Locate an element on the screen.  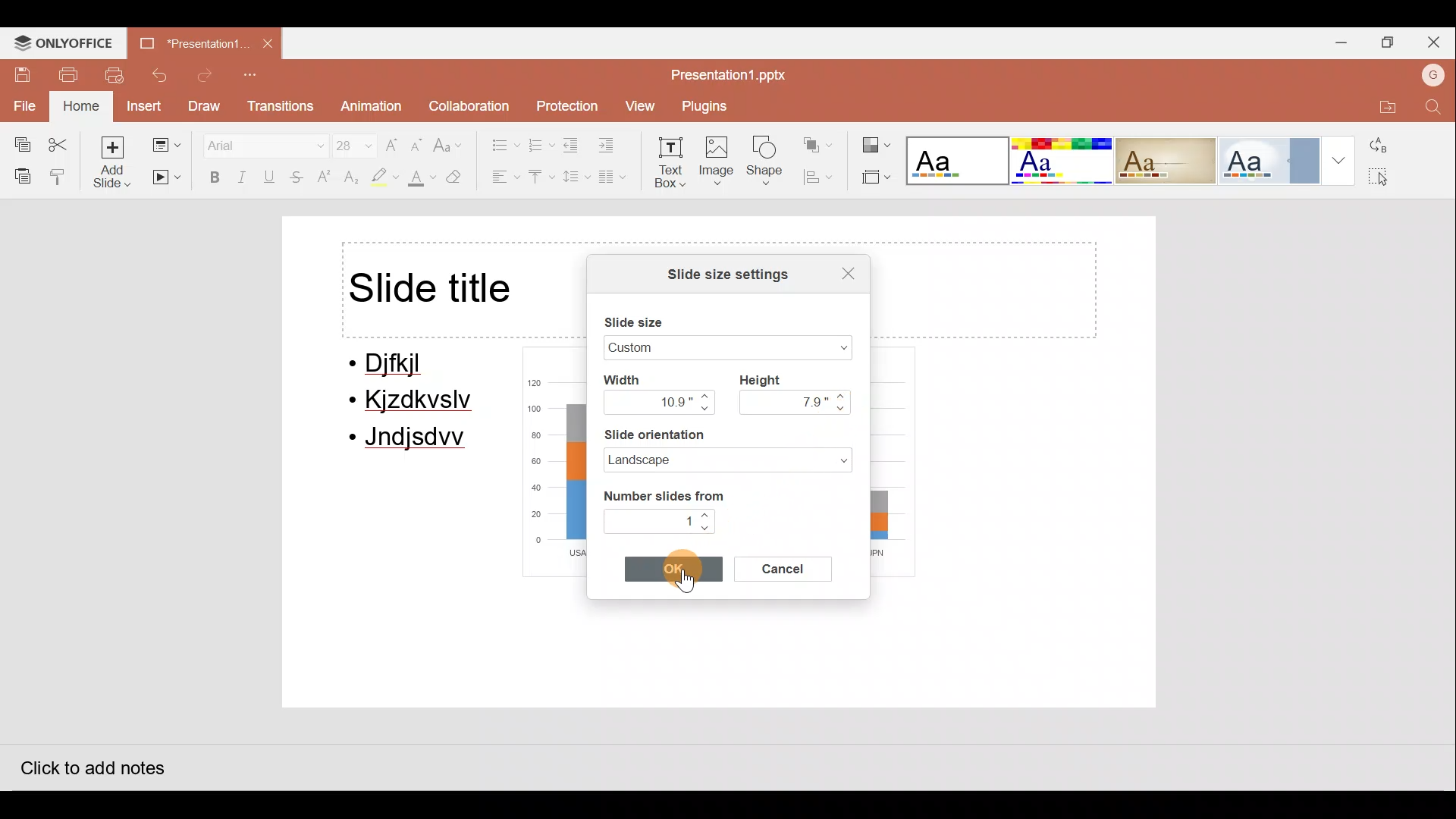
Bold is located at coordinates (211, 177).